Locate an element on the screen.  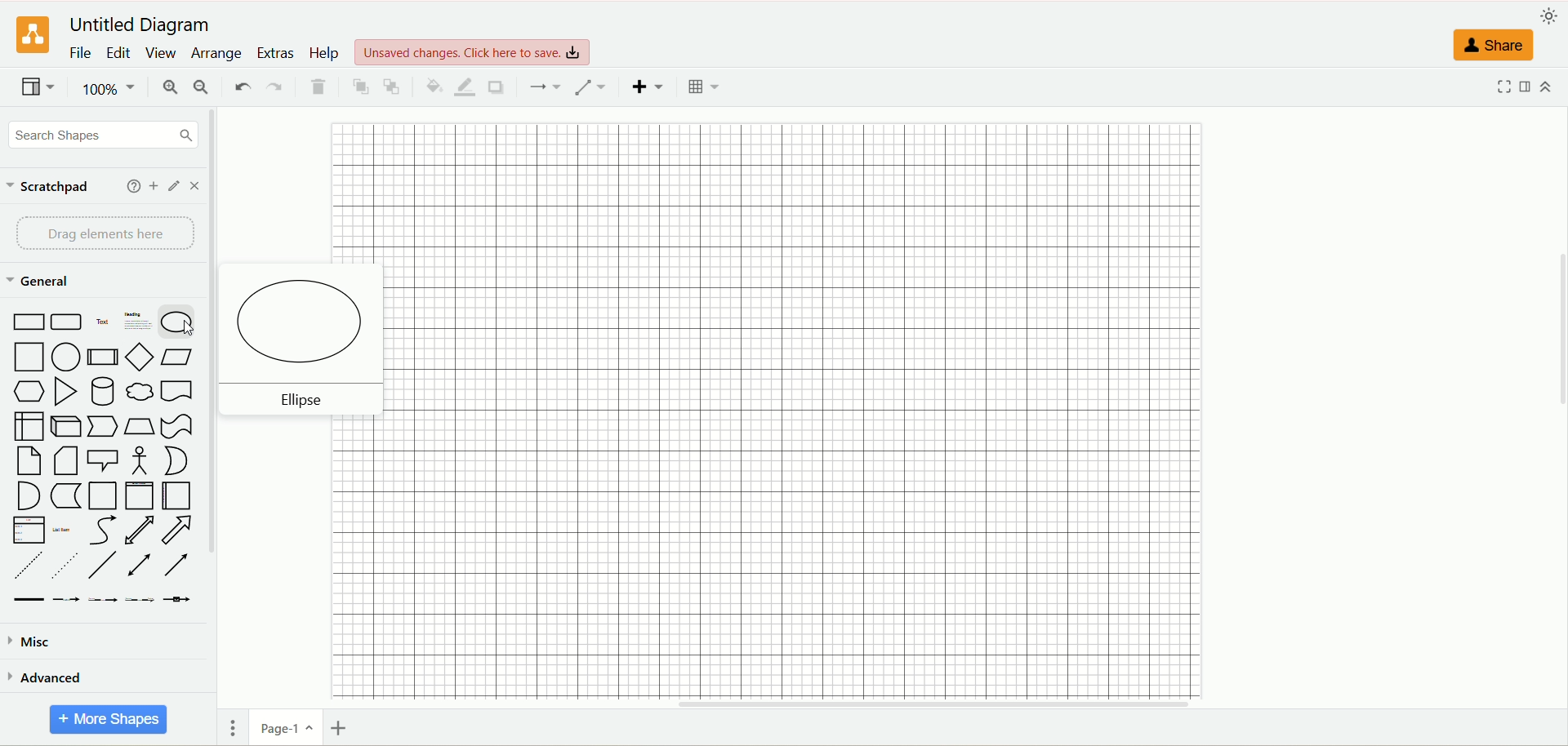
TABLE is located at coordinates (704, 88).